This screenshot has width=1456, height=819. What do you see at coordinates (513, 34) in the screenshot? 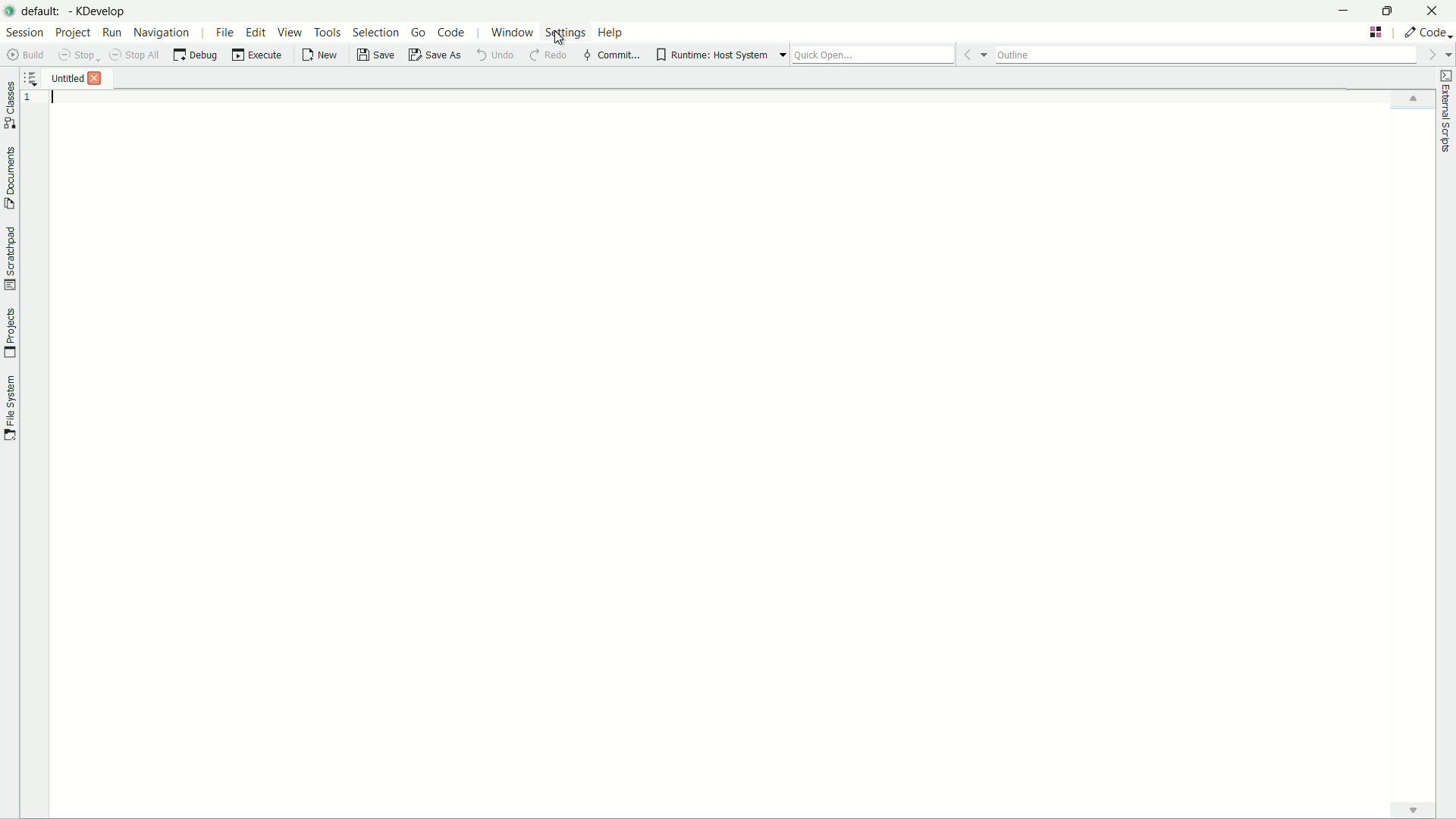
I see `window` at bounding box center [513, 34].